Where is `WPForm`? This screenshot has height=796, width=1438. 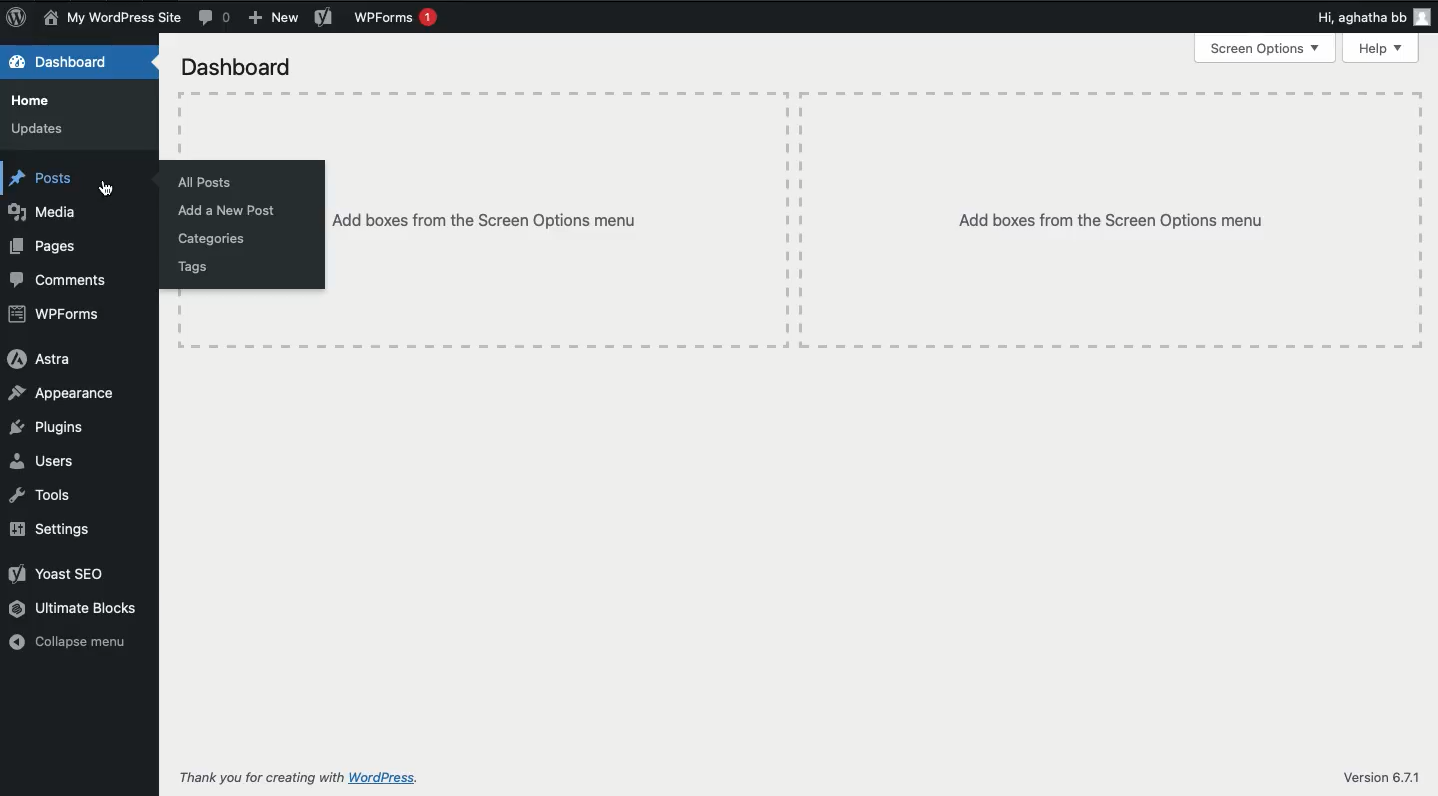 WPForm is located at coordinates (57, 315).